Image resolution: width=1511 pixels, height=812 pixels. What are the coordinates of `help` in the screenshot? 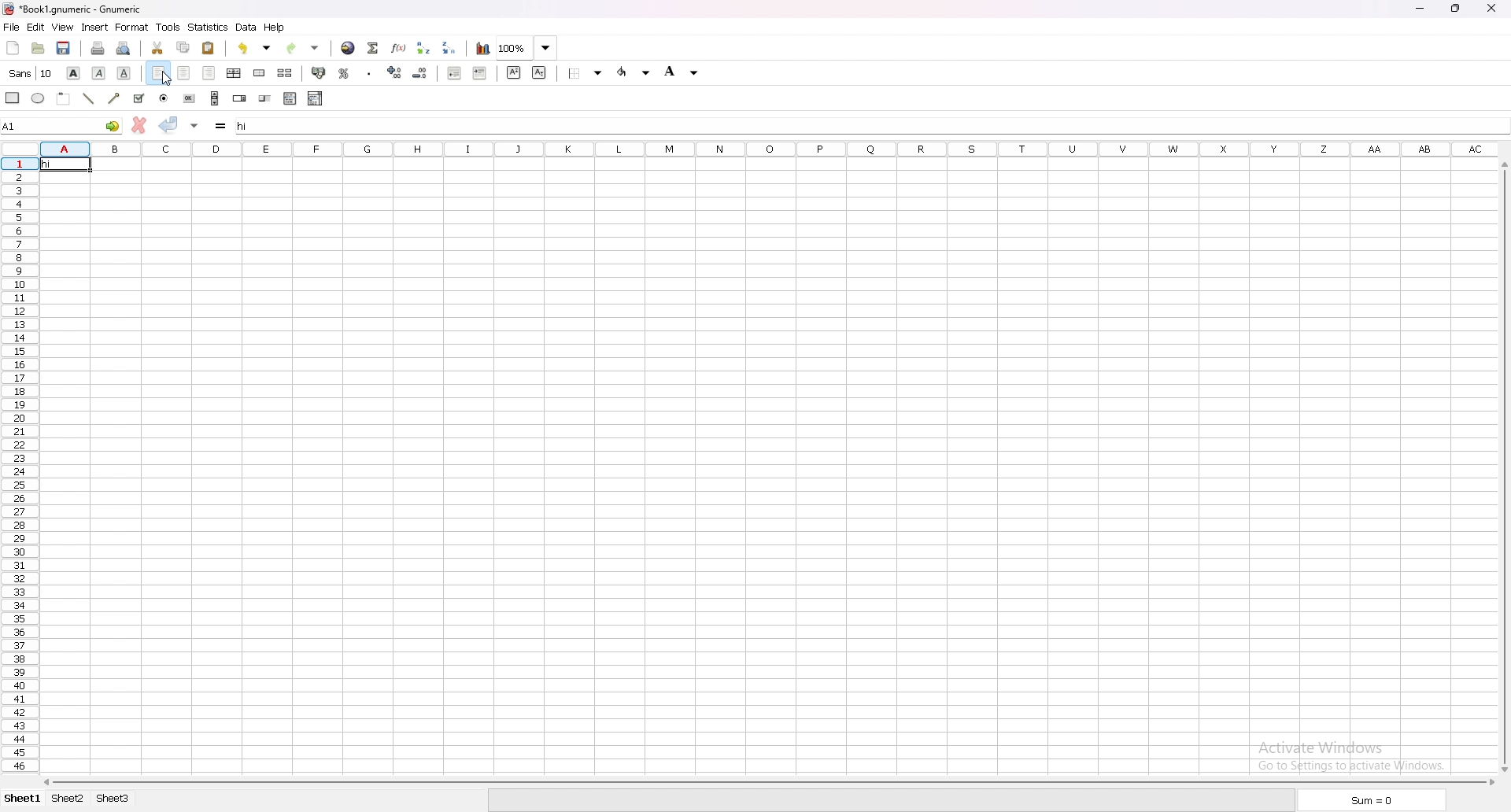 It's located at (275, 28).